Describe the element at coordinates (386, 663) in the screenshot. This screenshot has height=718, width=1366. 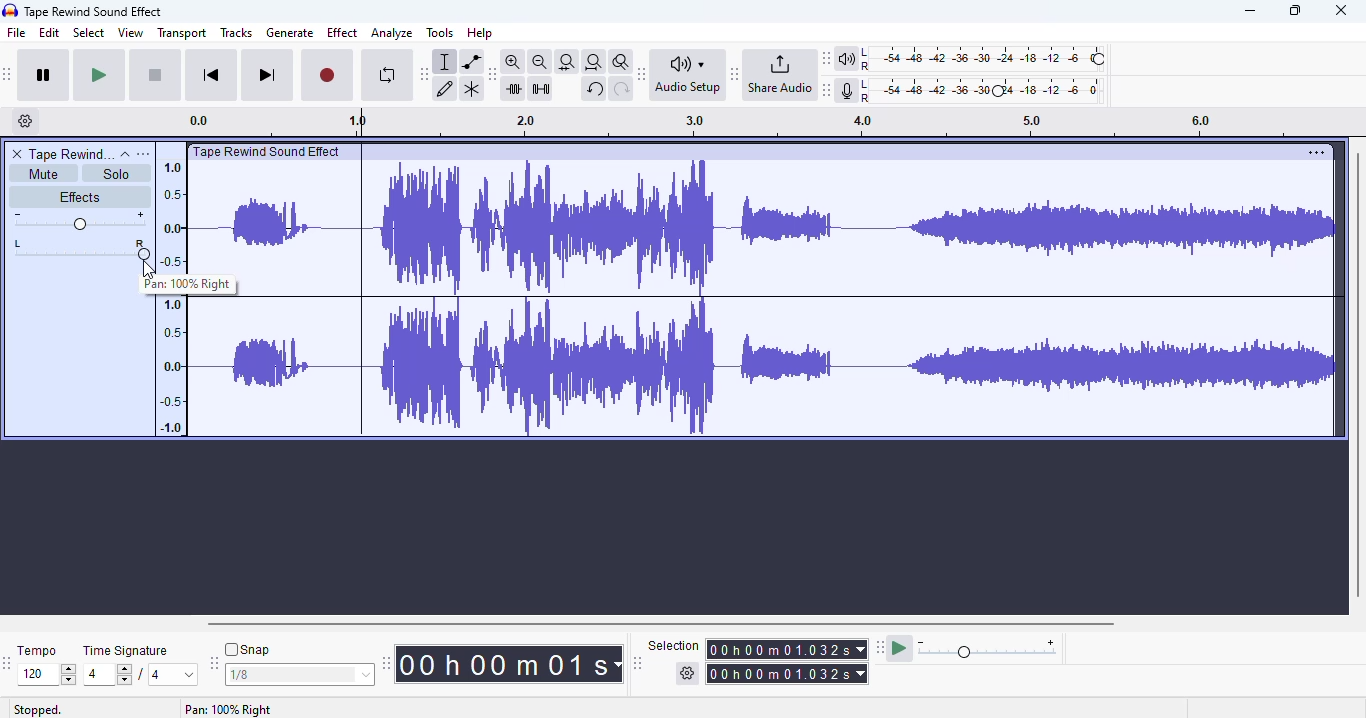
I see `audacity time toolbar` at that location.